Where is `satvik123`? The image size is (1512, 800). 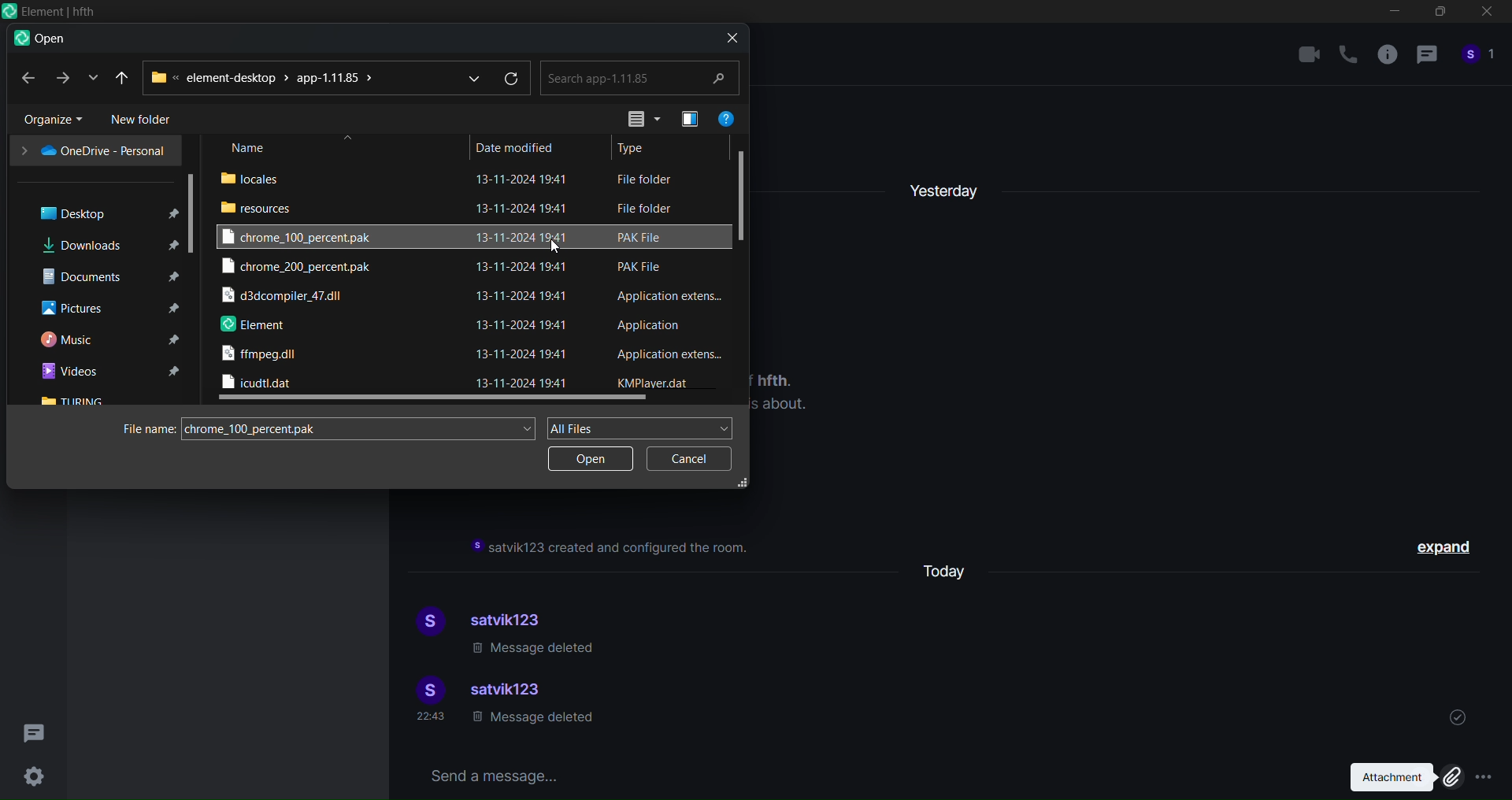 satvik123 is located at coordinates (510, 691).